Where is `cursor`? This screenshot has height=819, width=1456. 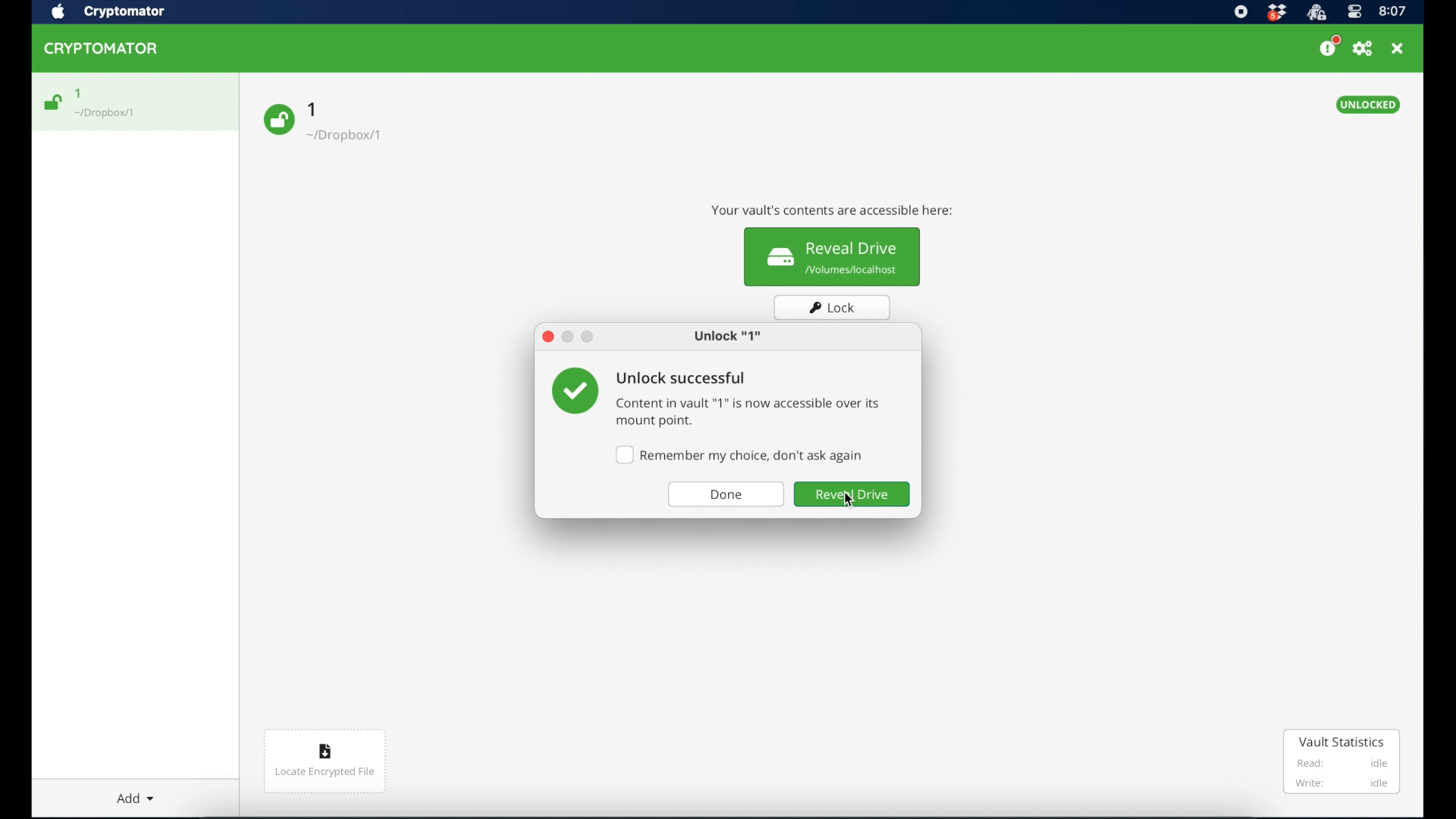 cursor is located at coordinates (855, 504).